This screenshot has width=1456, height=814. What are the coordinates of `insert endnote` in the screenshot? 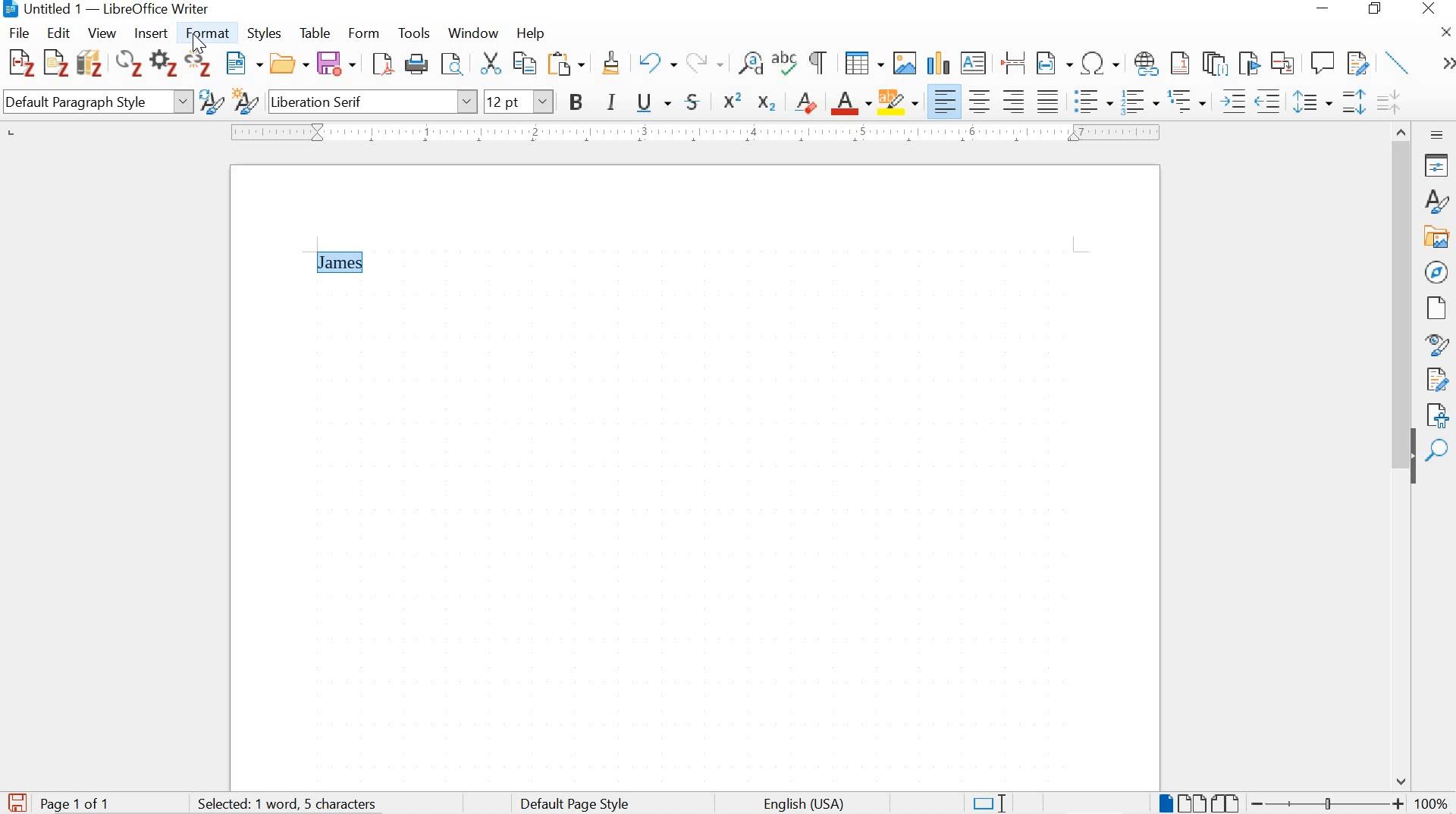 It's located at (1180, 64).